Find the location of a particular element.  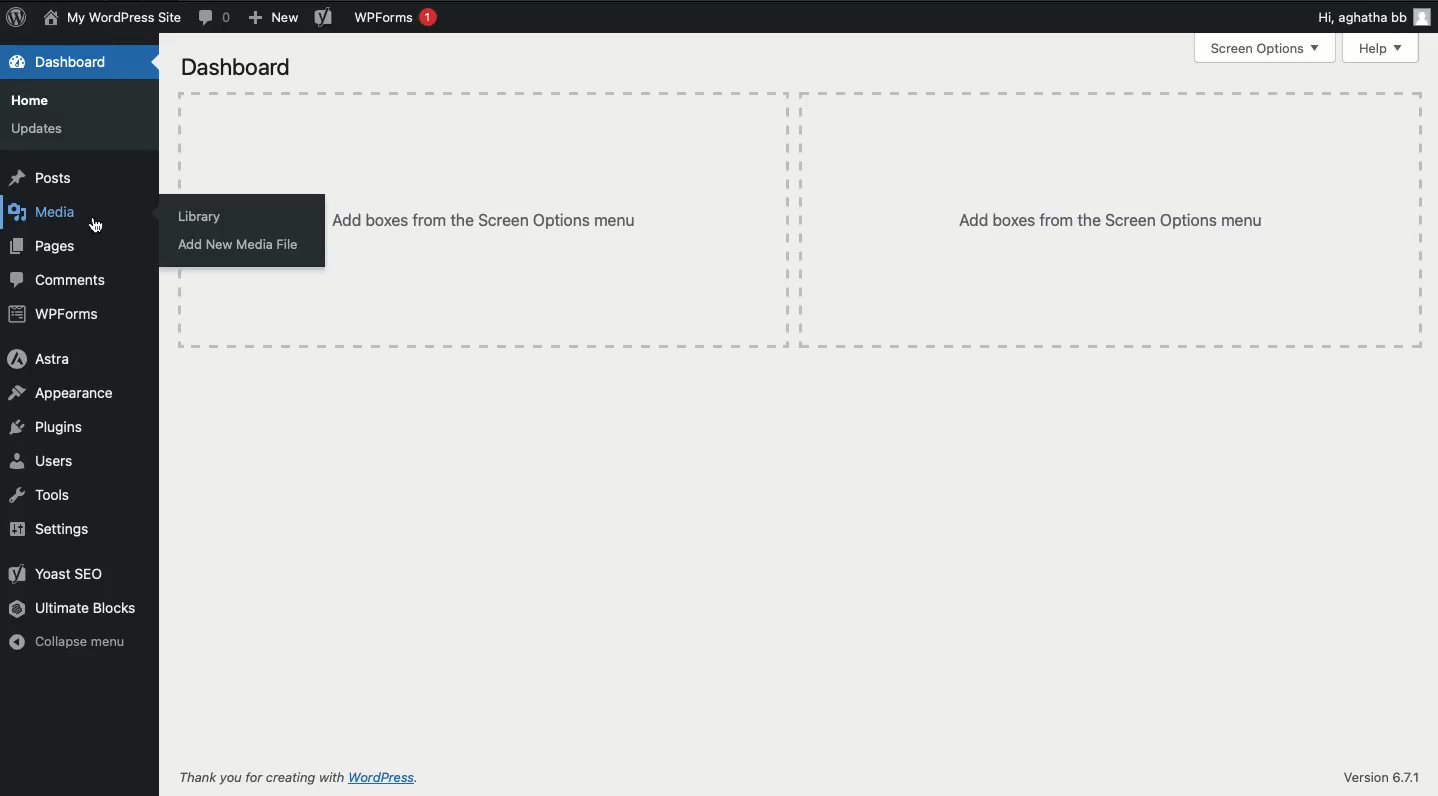

Screen options is located at coordinates (1265, 49).